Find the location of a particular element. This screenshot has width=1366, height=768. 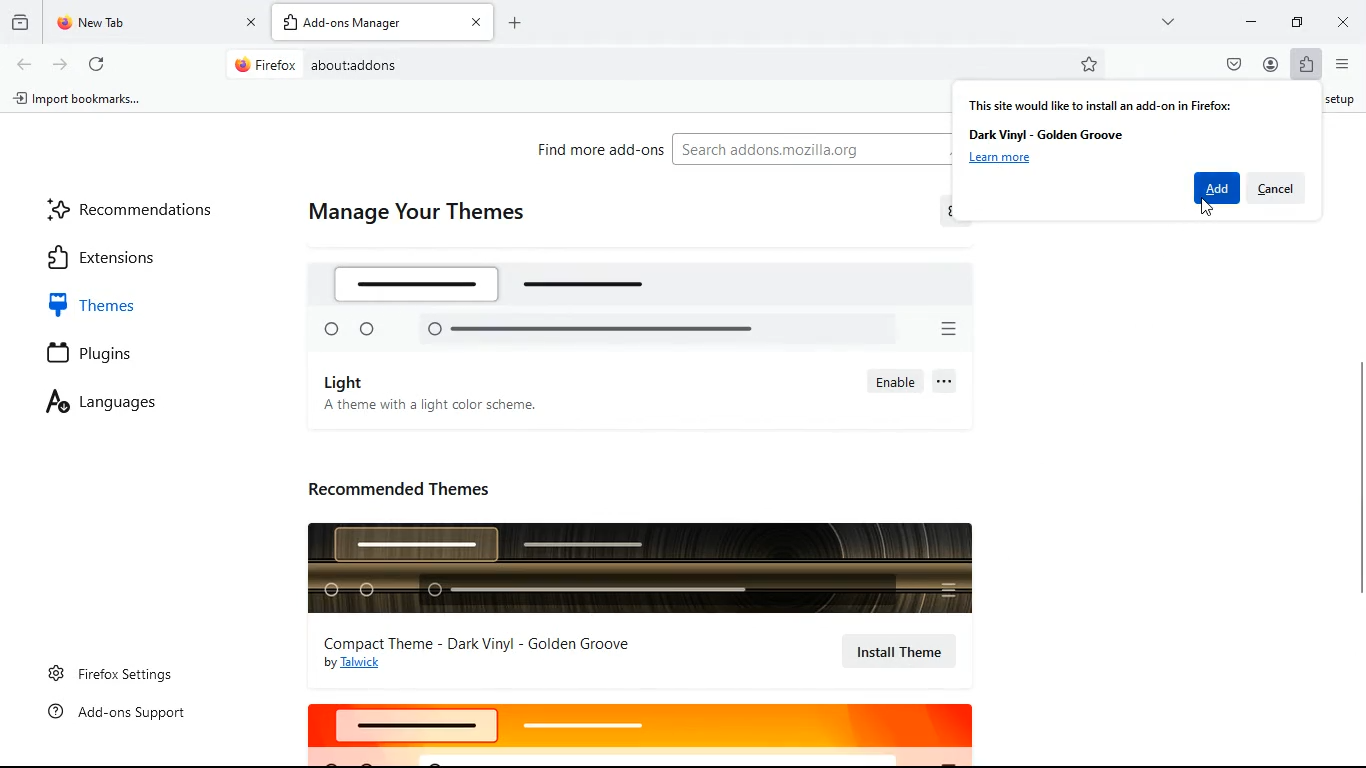

about:addons is located at coordinates (353, 66).